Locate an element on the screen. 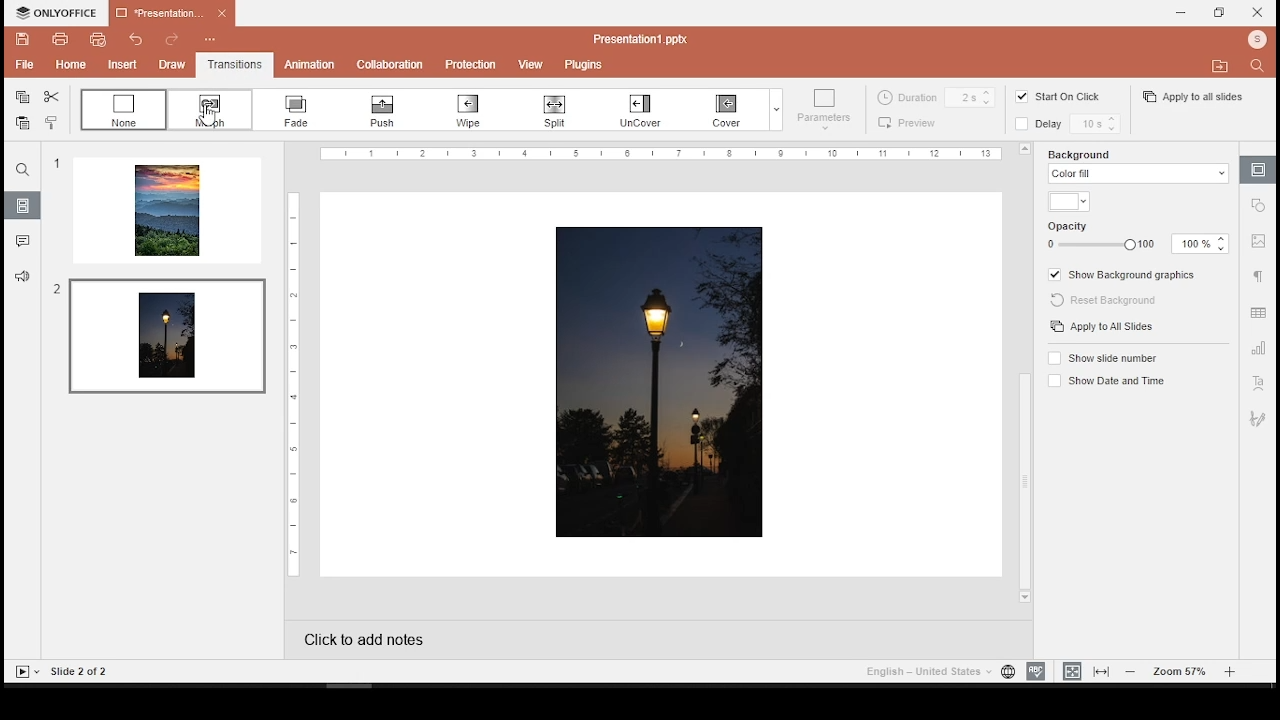 The width and height of the screenshot is (1280, 720). shape is located at coordinates (646, 108).